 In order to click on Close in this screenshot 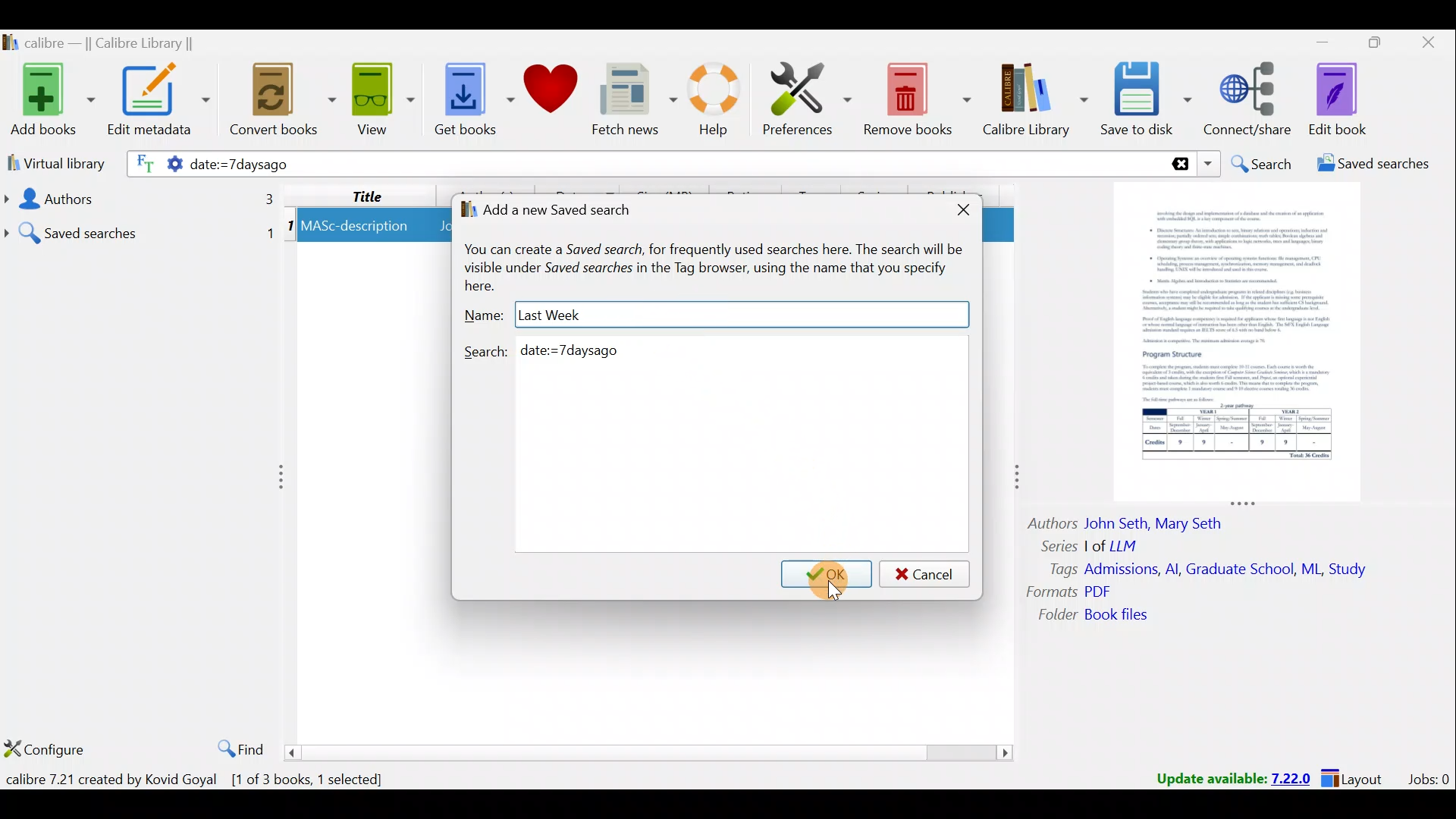, I will do `click(957, 209)`.